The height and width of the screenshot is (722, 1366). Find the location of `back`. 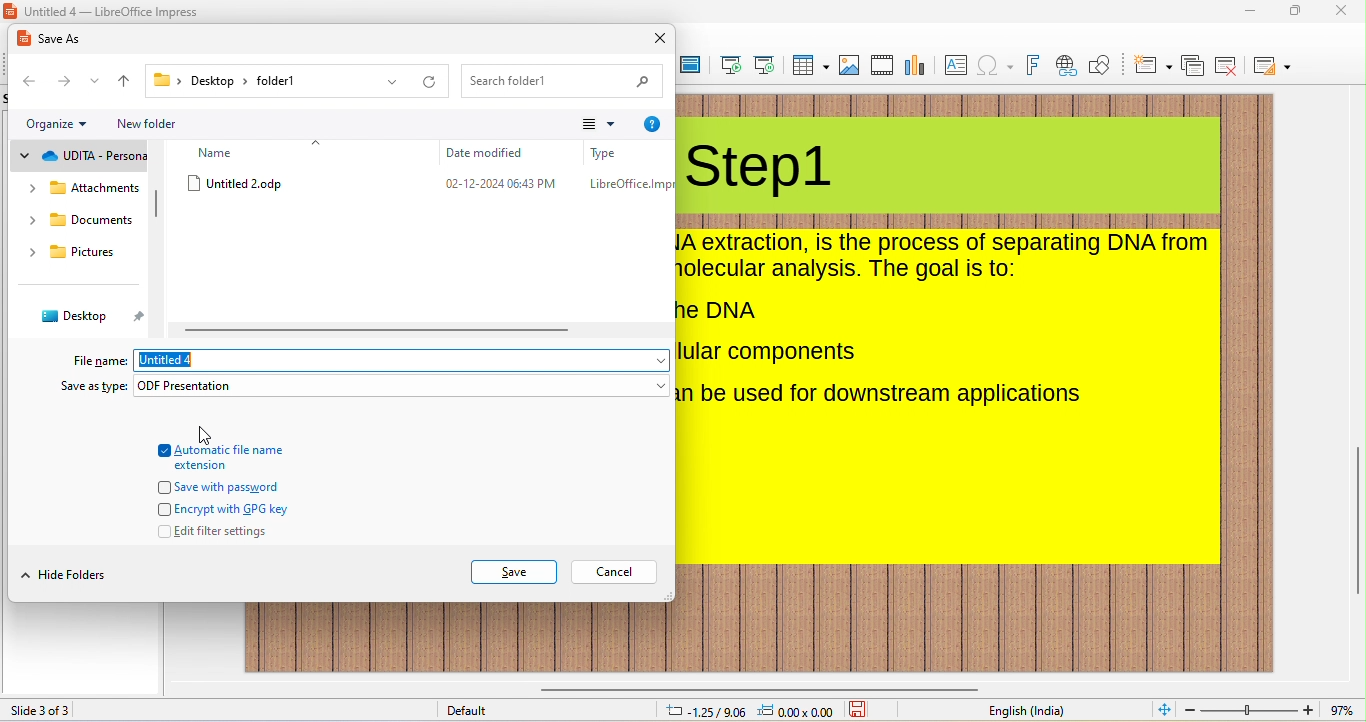

back is located at coordinates (32, 80).